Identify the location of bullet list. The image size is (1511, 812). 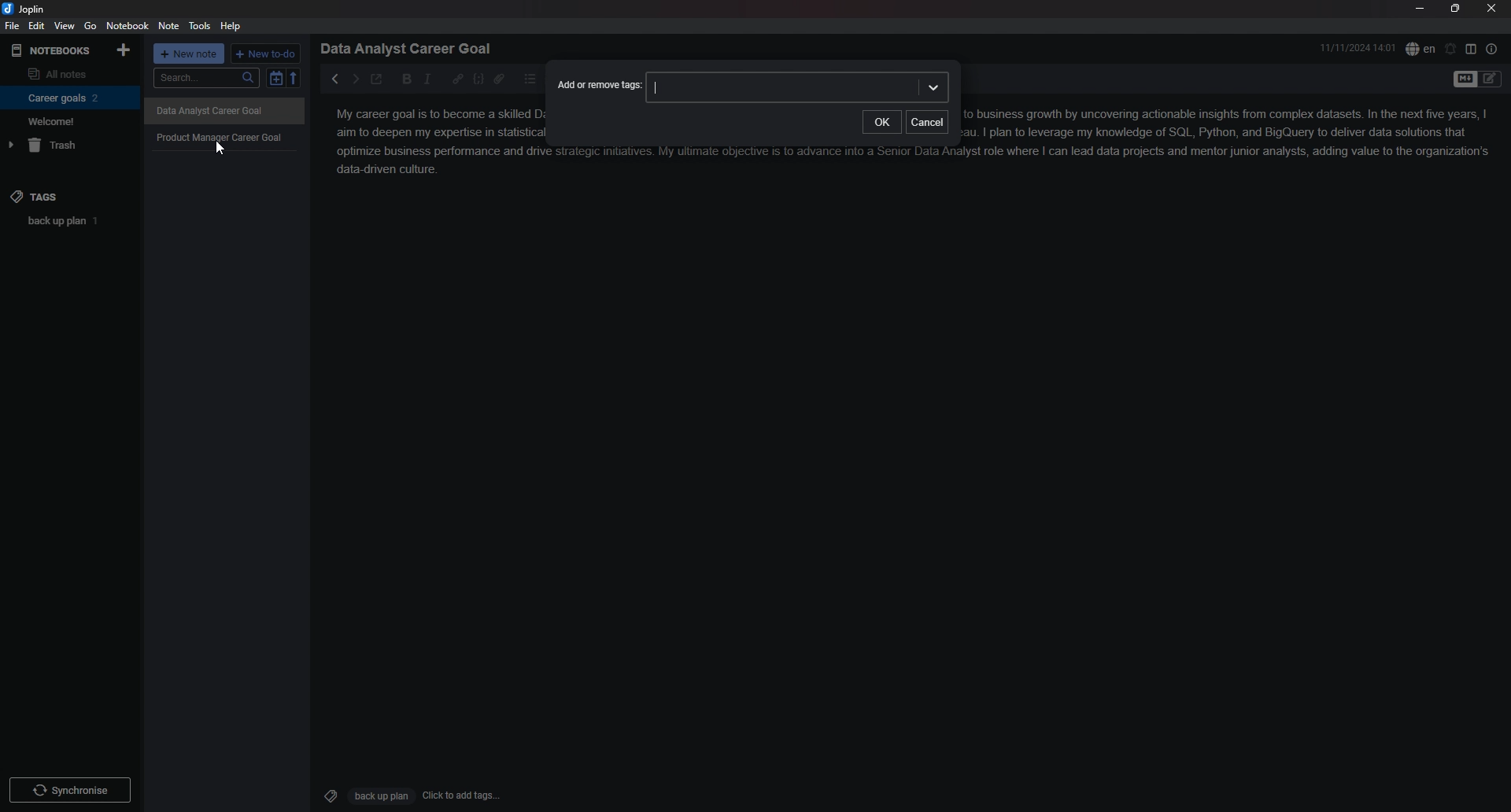
(530, 79).